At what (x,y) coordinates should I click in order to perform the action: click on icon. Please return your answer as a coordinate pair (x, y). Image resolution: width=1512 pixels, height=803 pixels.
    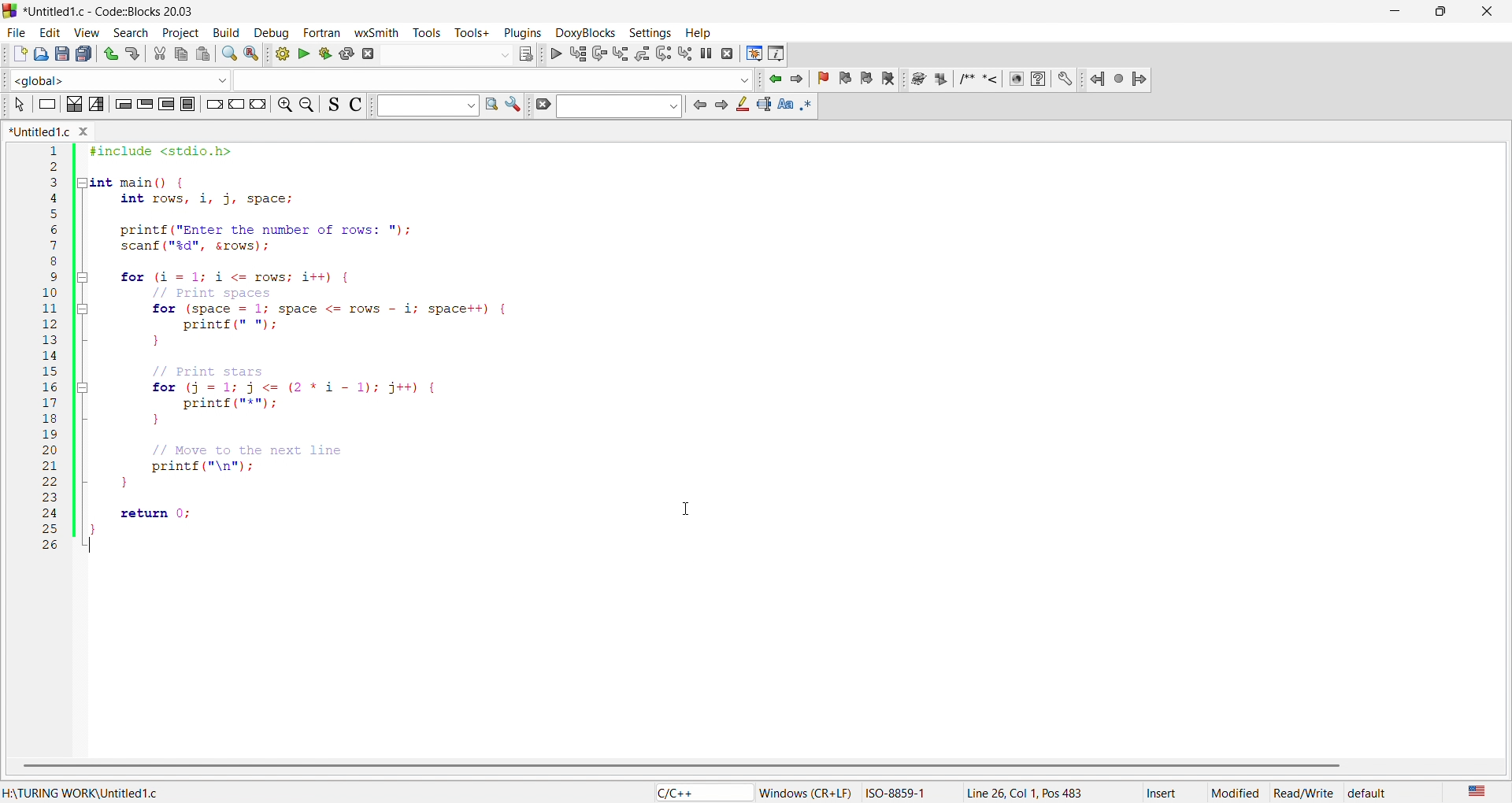
    Looking at the image, I should click on (542, 105).